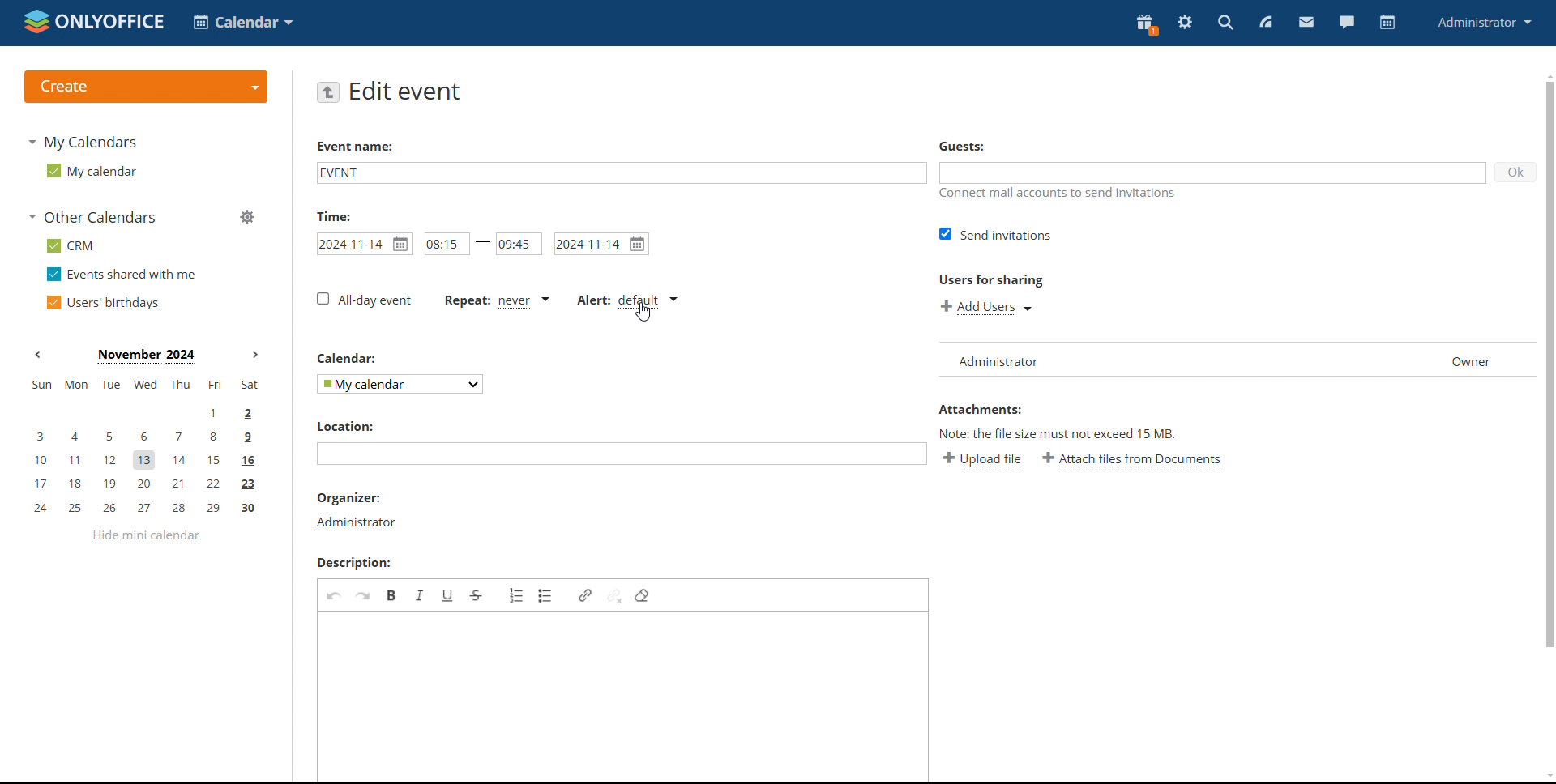  What do you see at coordinates (120, 275) in the screenshot?
I see `events shared with me` at bounding box center [120, 275].